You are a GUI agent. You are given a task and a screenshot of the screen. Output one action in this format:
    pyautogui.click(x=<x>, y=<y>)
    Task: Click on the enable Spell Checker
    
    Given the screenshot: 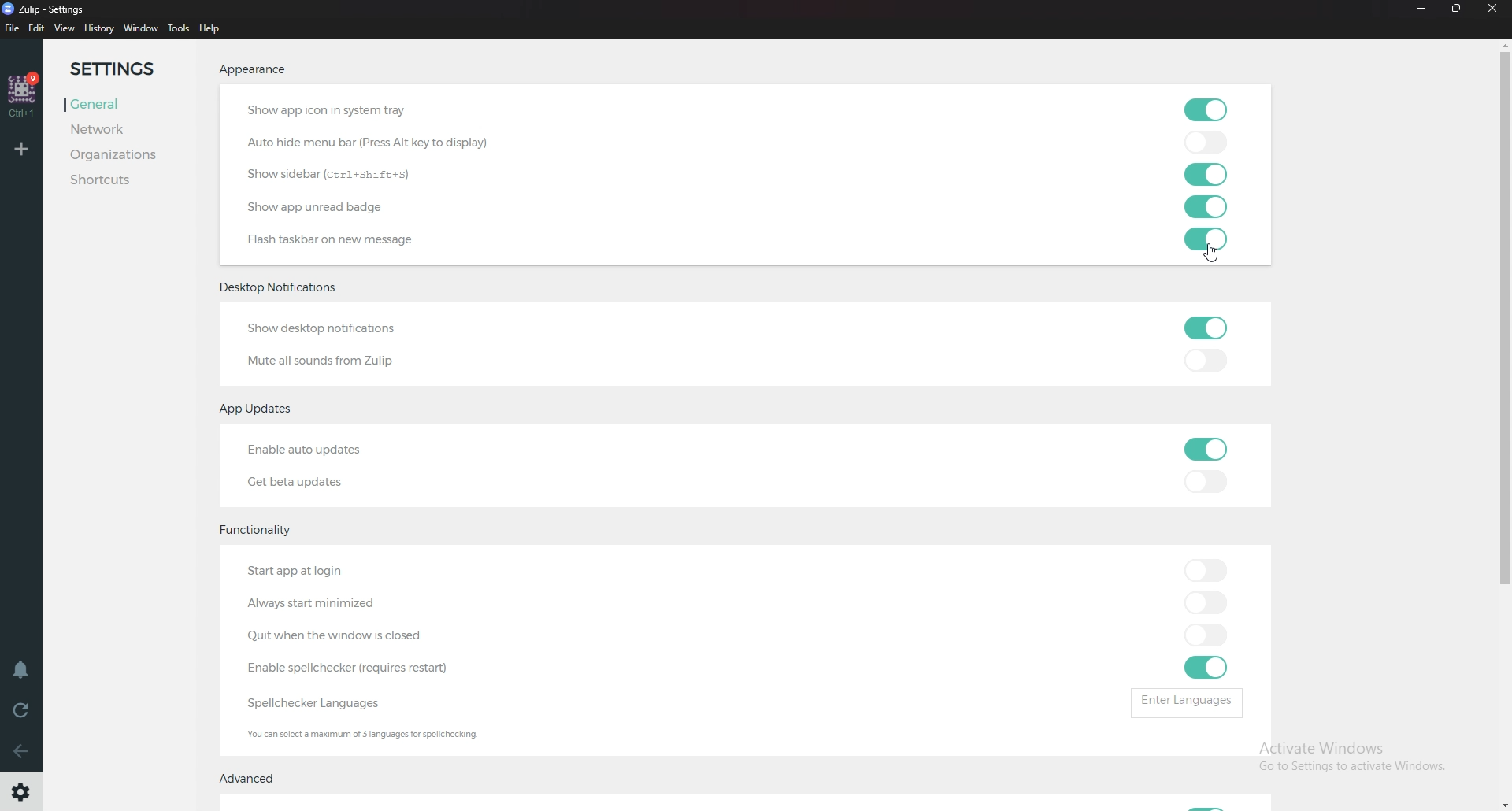 What is the action you would take?
    pyautogui.click(x=360, y=668)
    